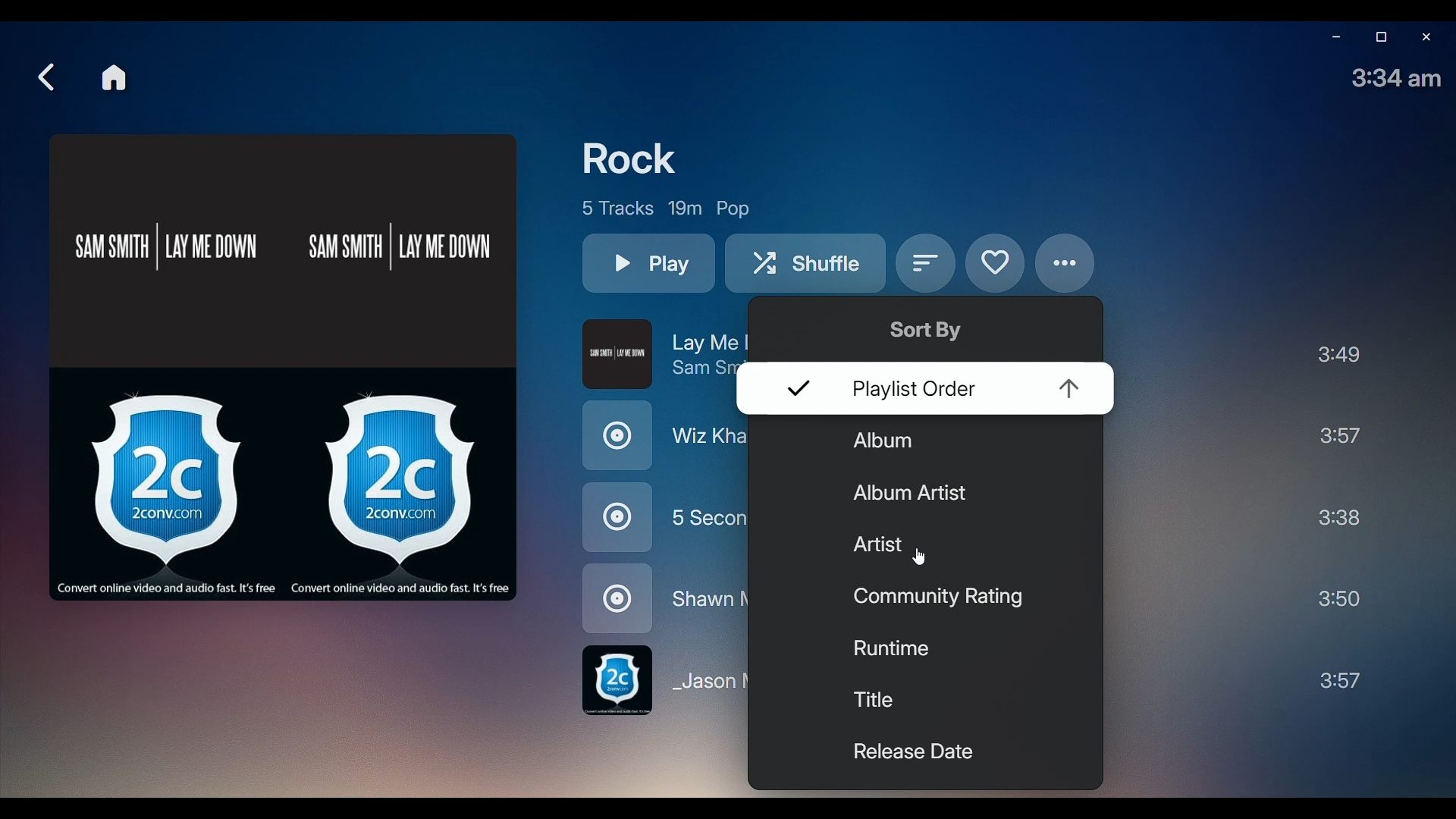 The width and height of the screenshot is (1456, 819). Describe the element at coordinates (1398, 78) in the screenshot. I see `TIme` at that location.